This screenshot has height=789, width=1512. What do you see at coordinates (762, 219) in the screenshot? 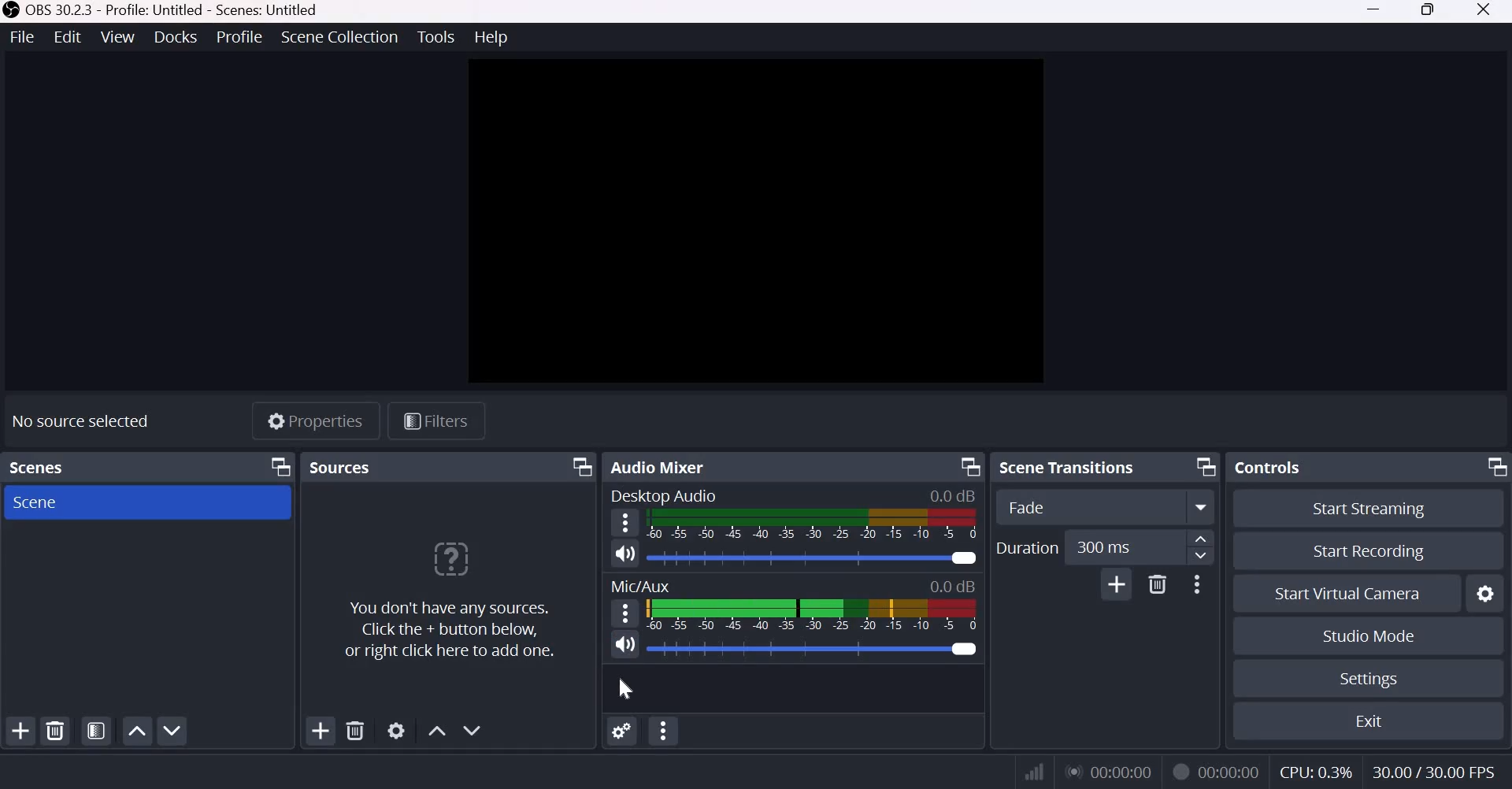
I see `canvas` at bounding box center [762, 219].